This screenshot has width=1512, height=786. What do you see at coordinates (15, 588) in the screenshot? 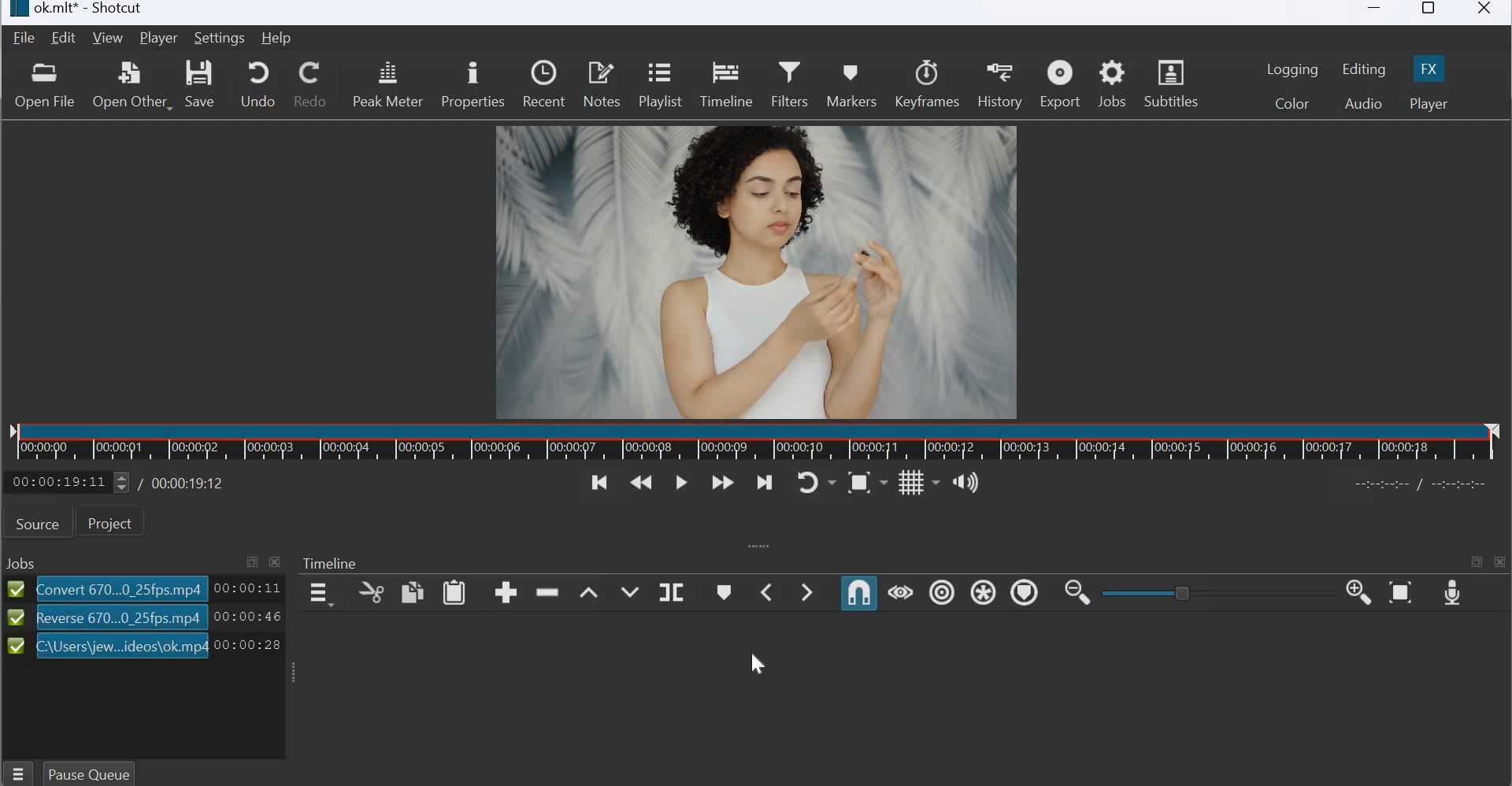
I see `checkmark` at bounding box center [15, 588].